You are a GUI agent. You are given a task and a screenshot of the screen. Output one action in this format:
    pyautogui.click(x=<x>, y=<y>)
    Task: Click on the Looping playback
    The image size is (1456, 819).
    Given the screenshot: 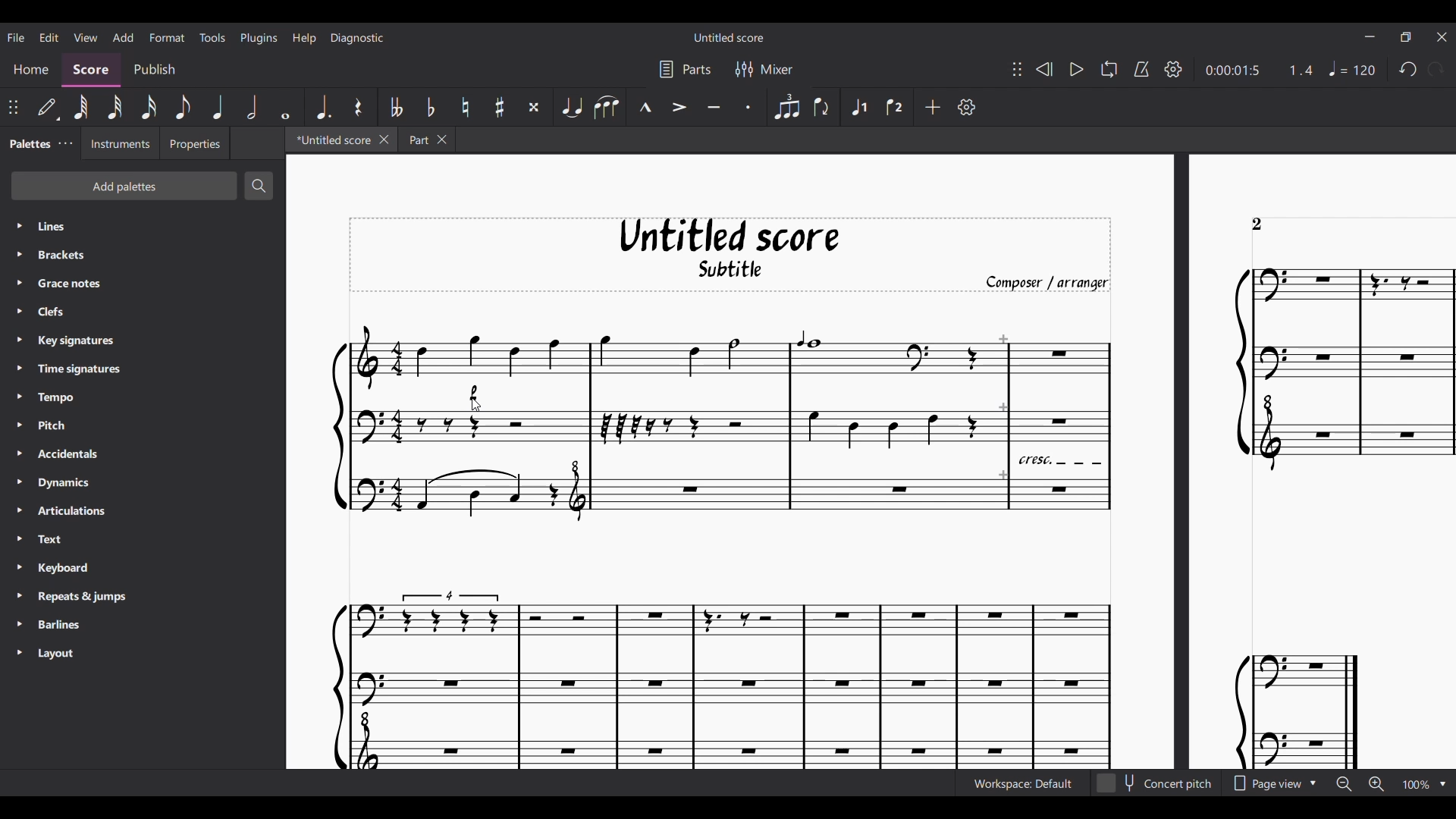 What is the action you would take?
    pyautogui.click(x=1109, y=69)
    